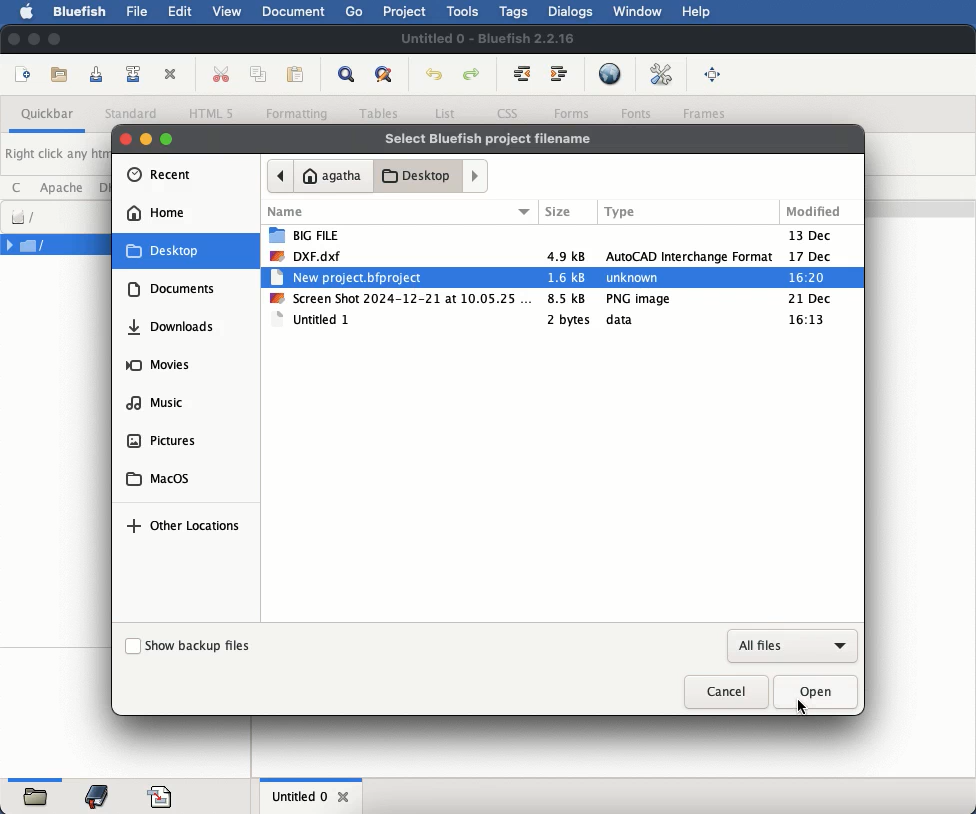  I want to click on standard , so click(134, 115).